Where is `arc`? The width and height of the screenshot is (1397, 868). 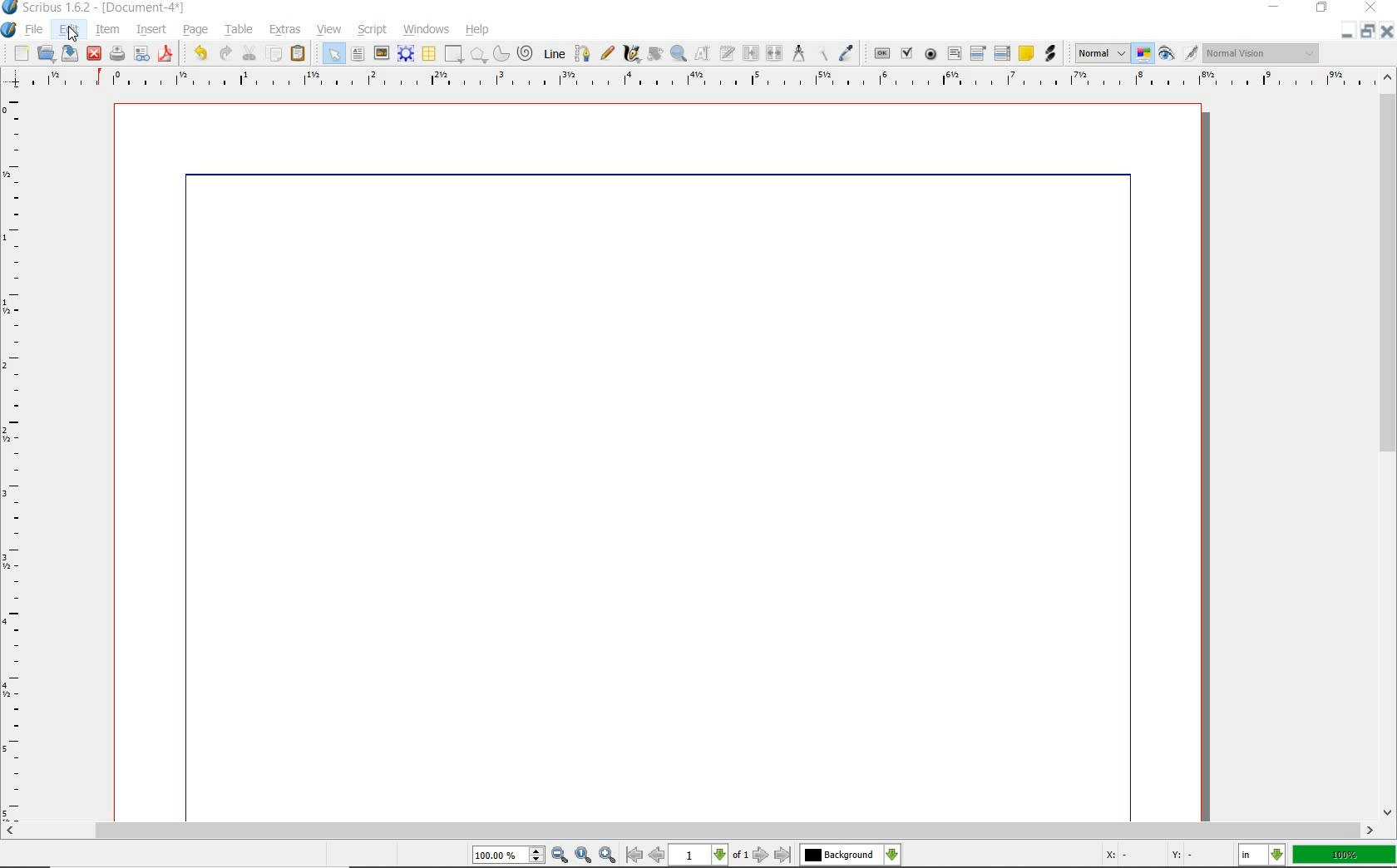
arc is located at coordinates (500, 53).